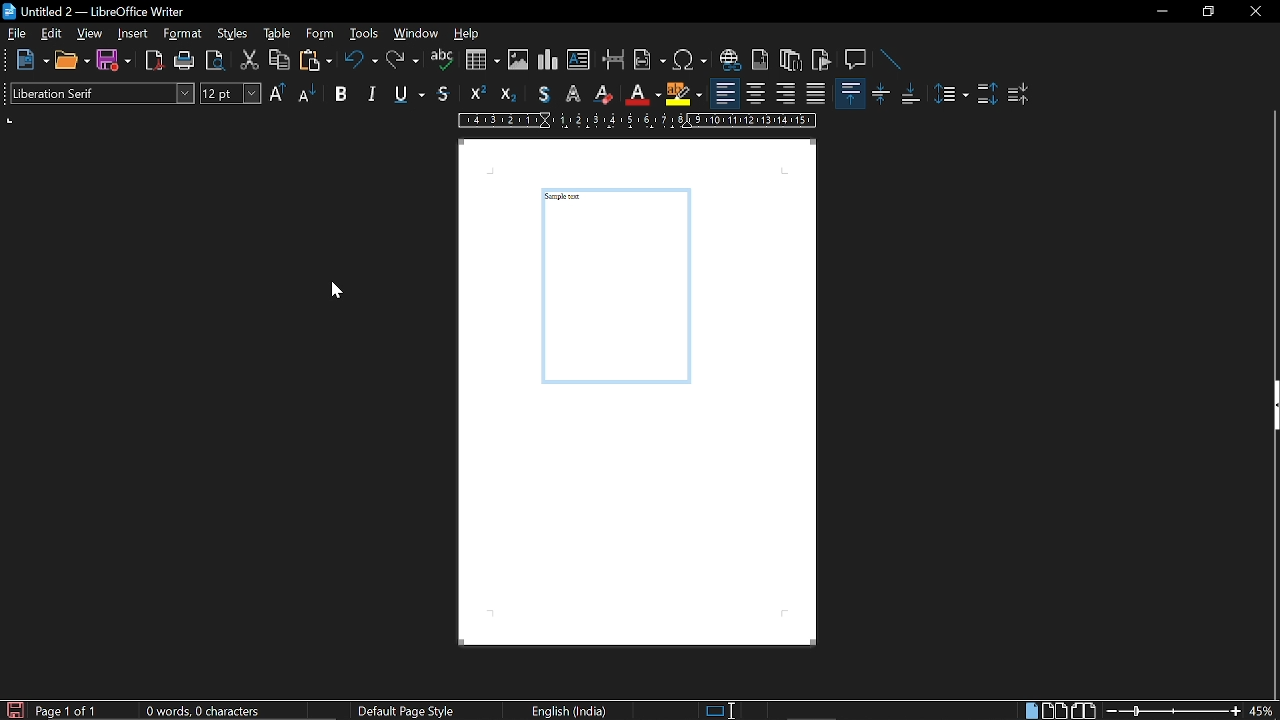 The height and width of the screenshot is (720, 1280). Describe the element at coordinates (518, 62) in the screenshot. I see `insert image` at that location.